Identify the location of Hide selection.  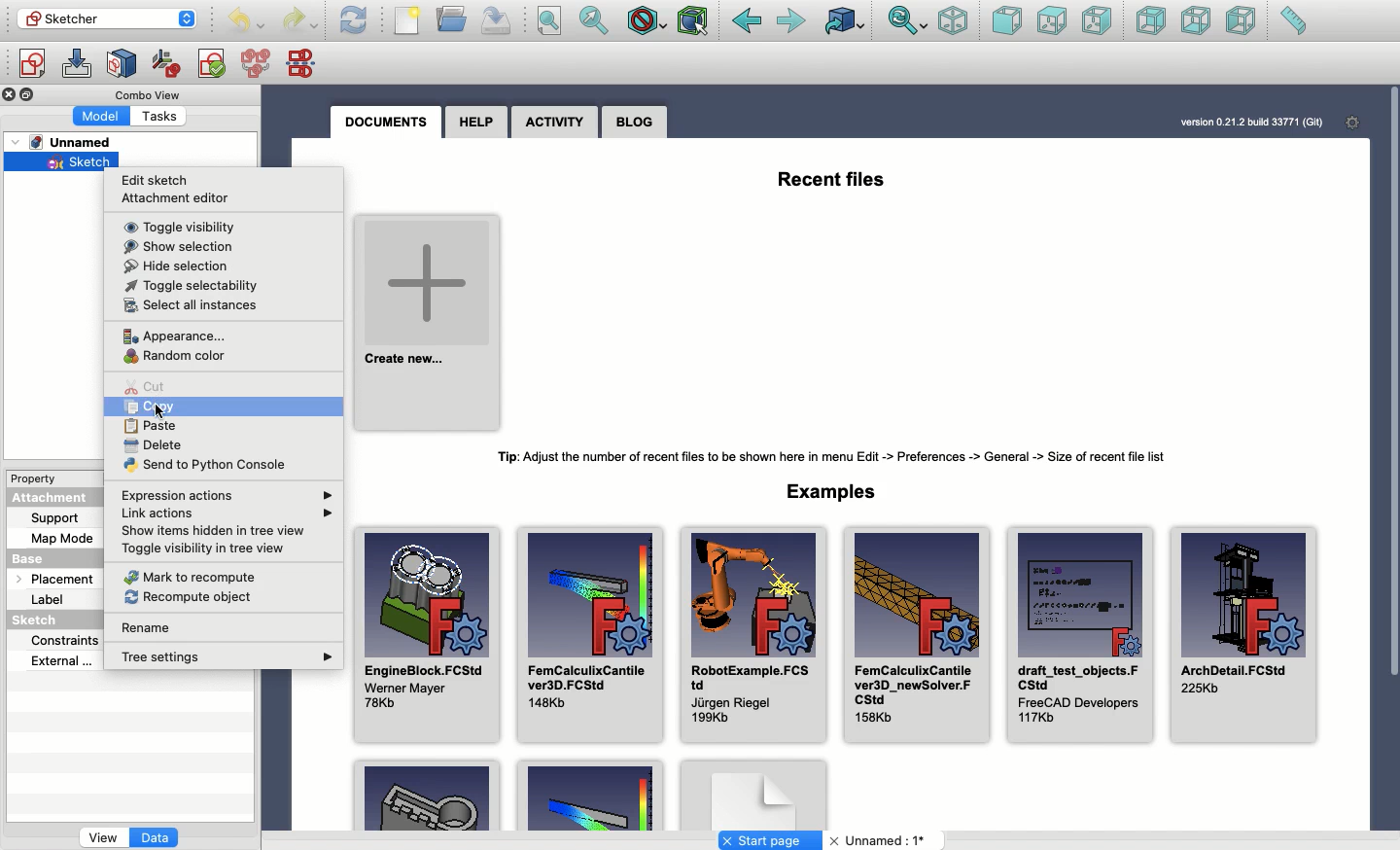
(177, 266).